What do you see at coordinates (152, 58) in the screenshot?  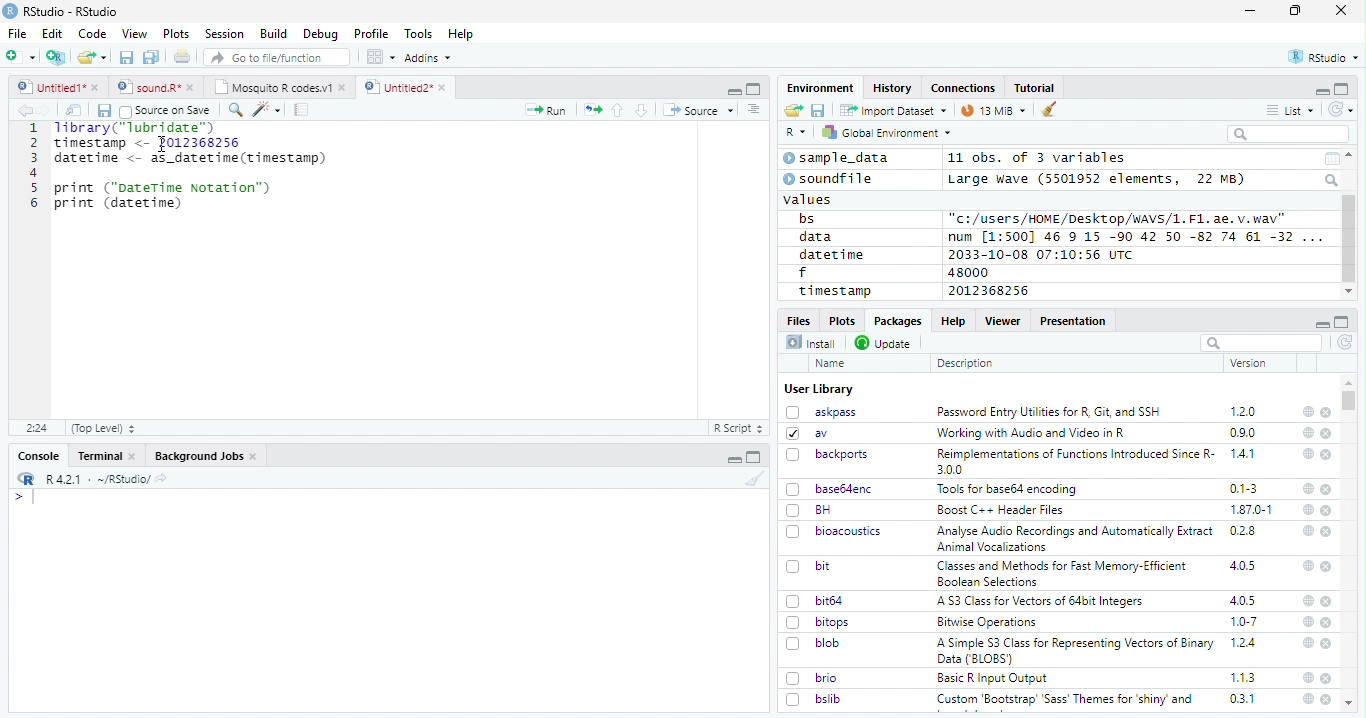 I see `Save all the open documents` at bounding box center [152, 58].